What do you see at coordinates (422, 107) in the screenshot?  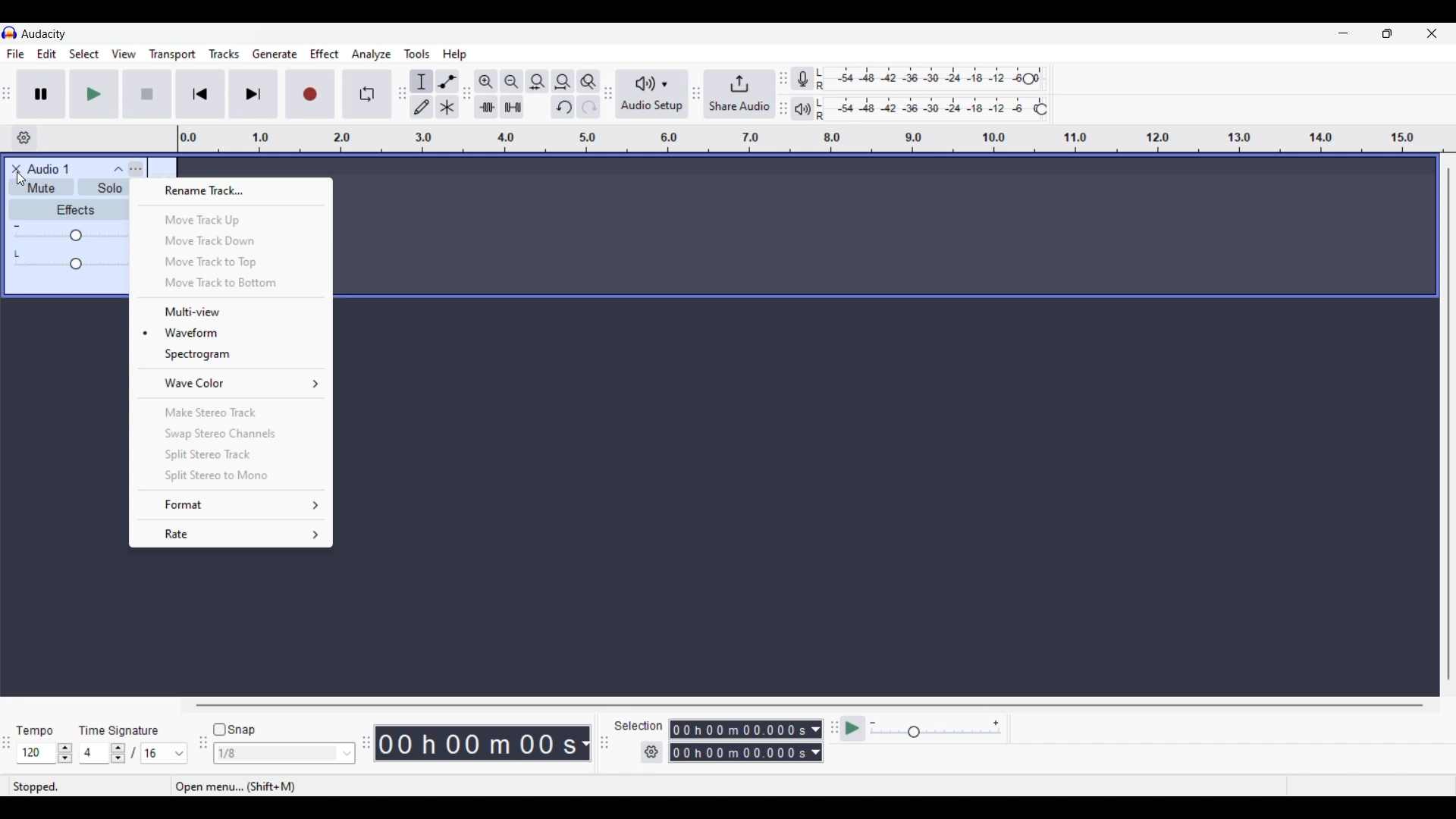 I see `Draw tool` at bounding box center [422, 107].